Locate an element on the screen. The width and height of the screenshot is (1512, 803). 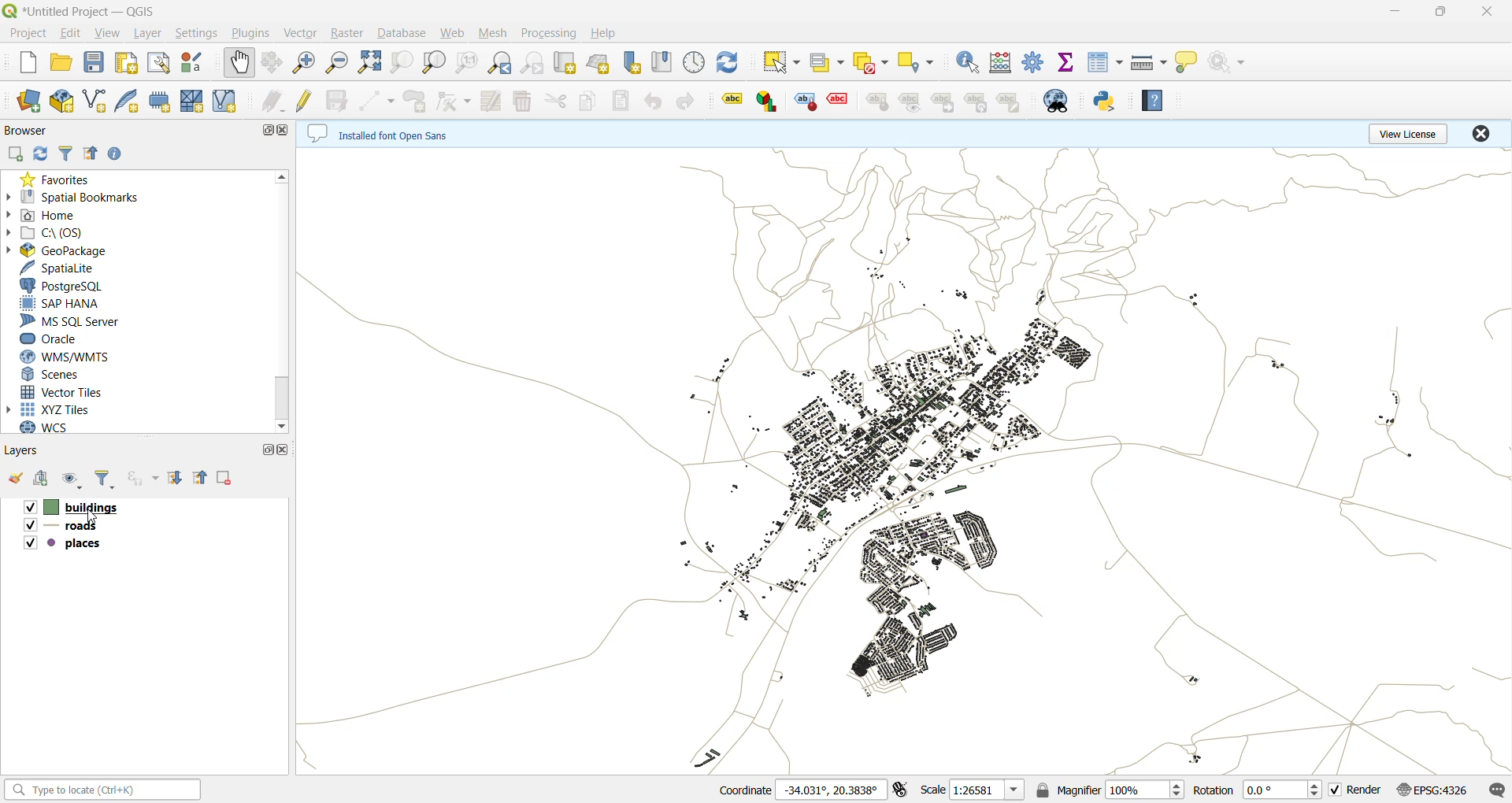
home is located at coordinates (64, 215).